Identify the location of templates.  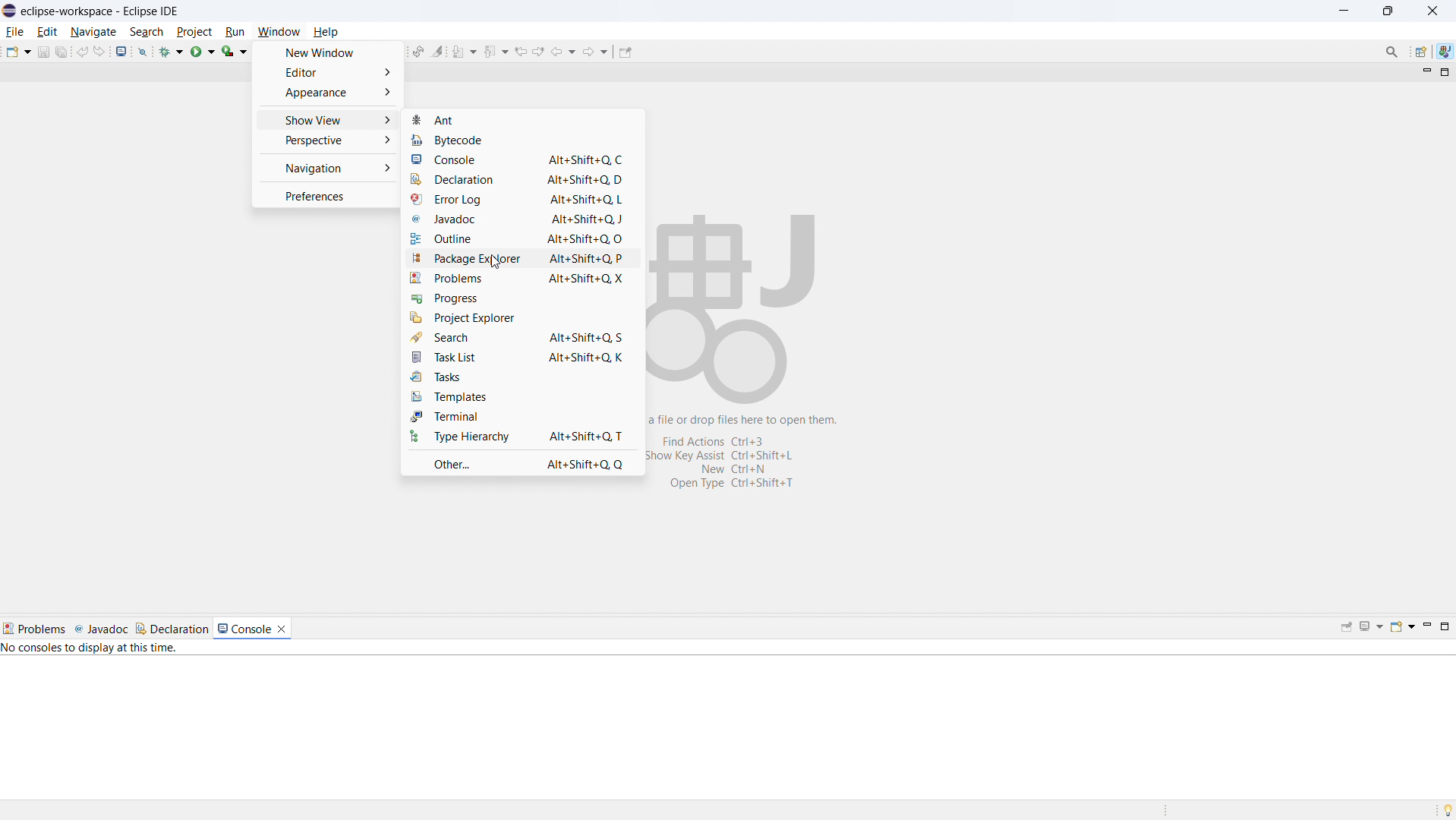
(522, 396).